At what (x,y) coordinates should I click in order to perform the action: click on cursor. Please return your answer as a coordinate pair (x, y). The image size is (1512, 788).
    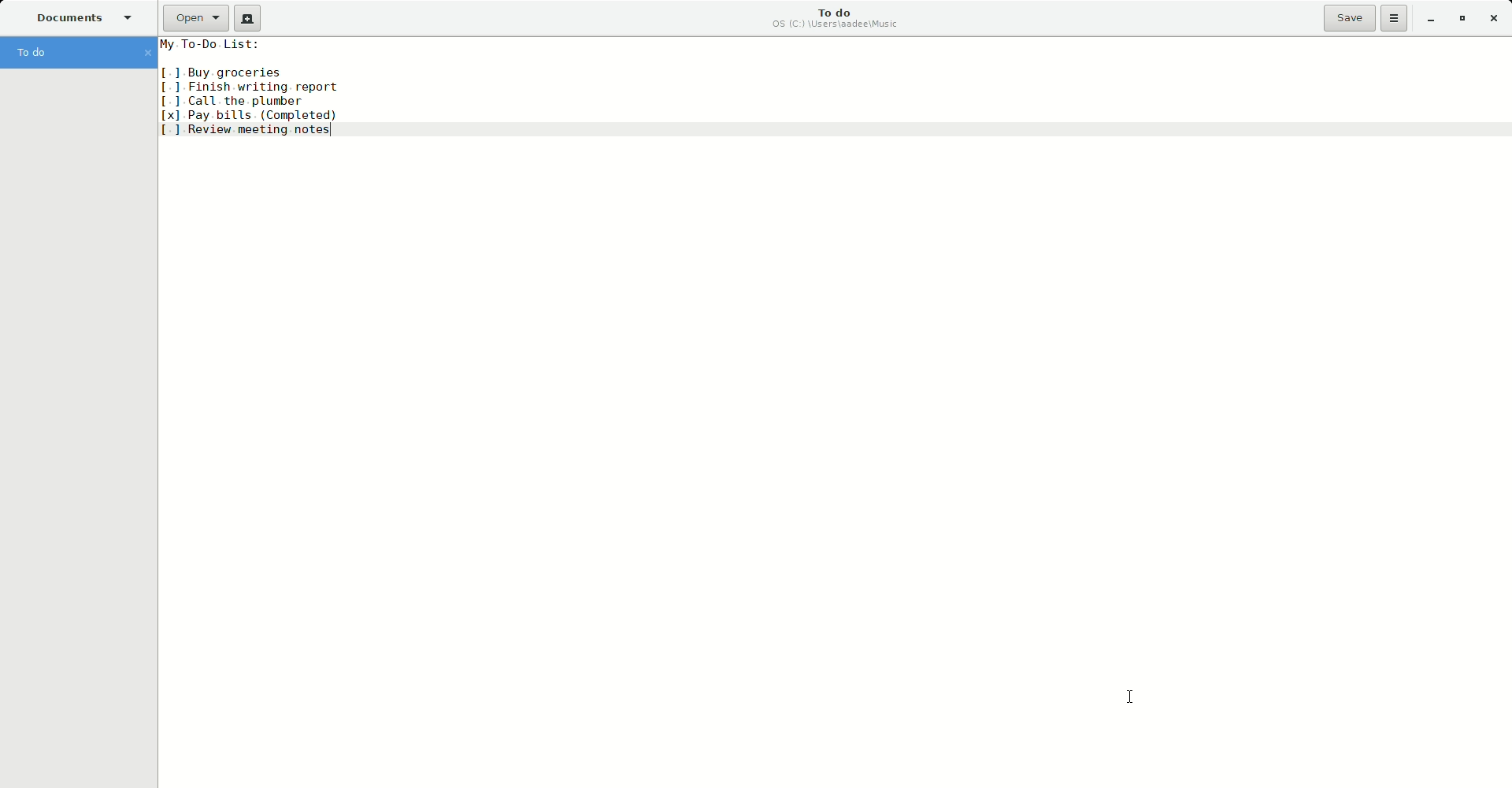
    Looking at the image, I should click on (1125, 697).